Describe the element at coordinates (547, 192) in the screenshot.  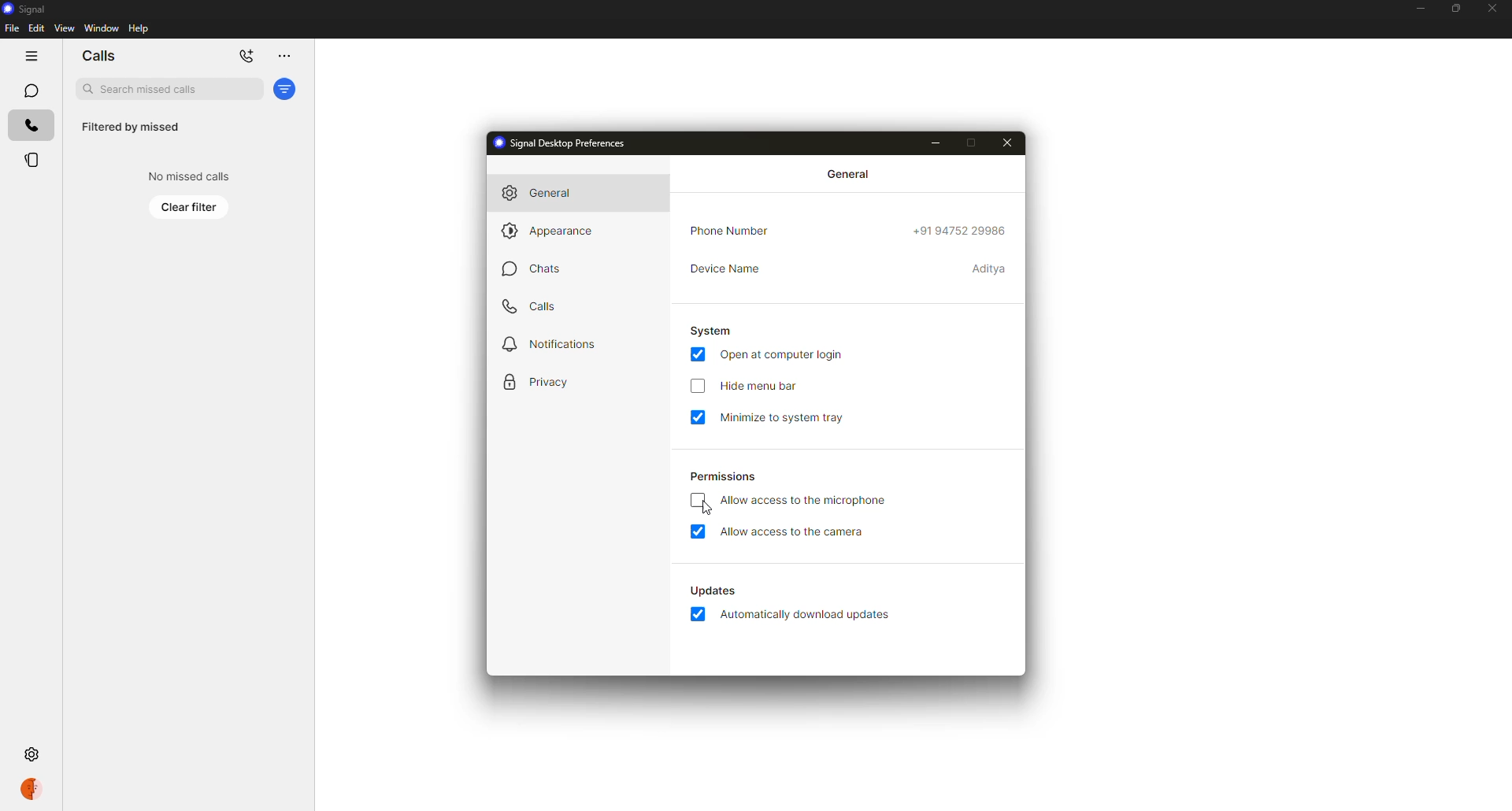
I see `general` at that location.